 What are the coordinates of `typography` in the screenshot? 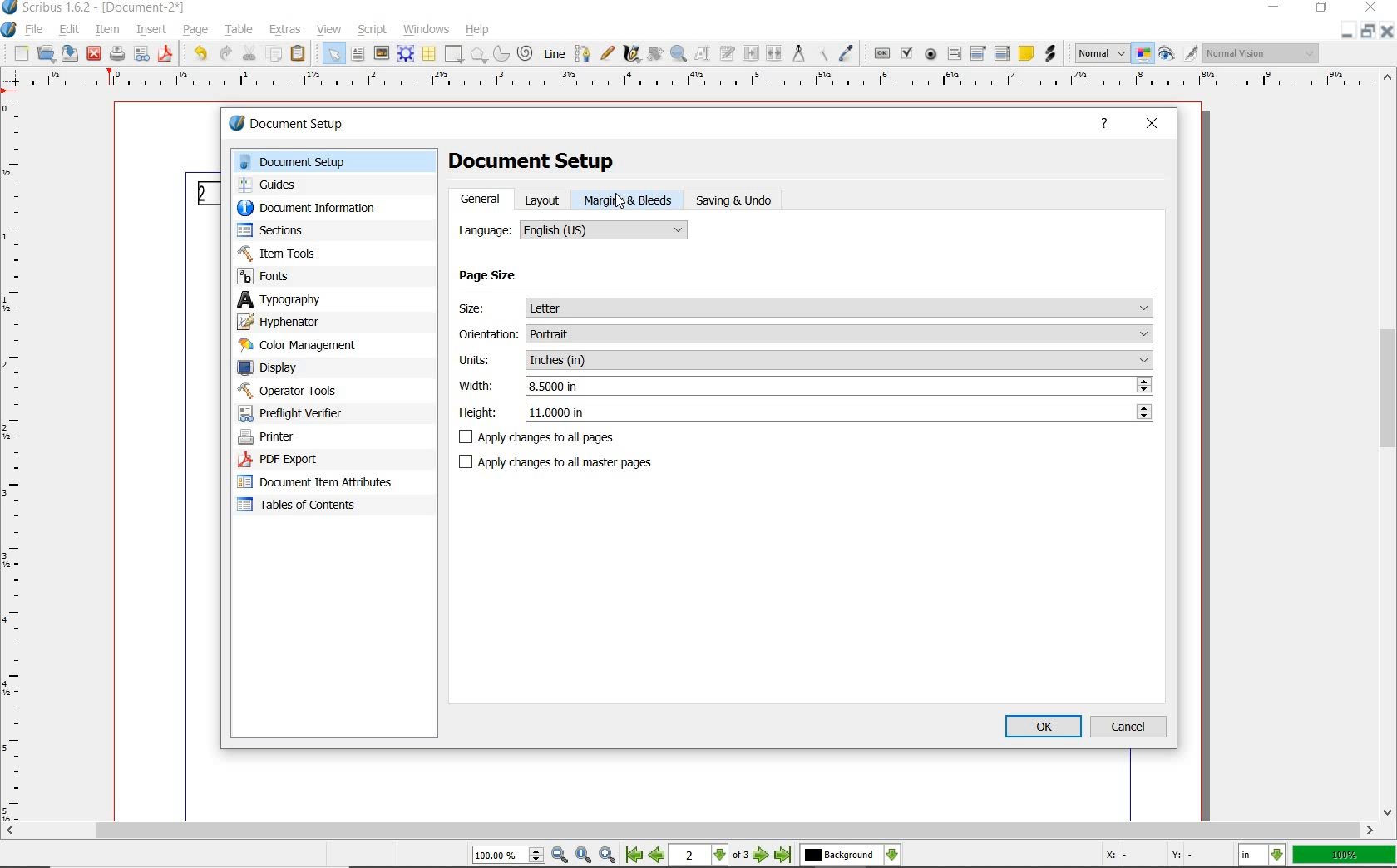 It's located at (334, 301).